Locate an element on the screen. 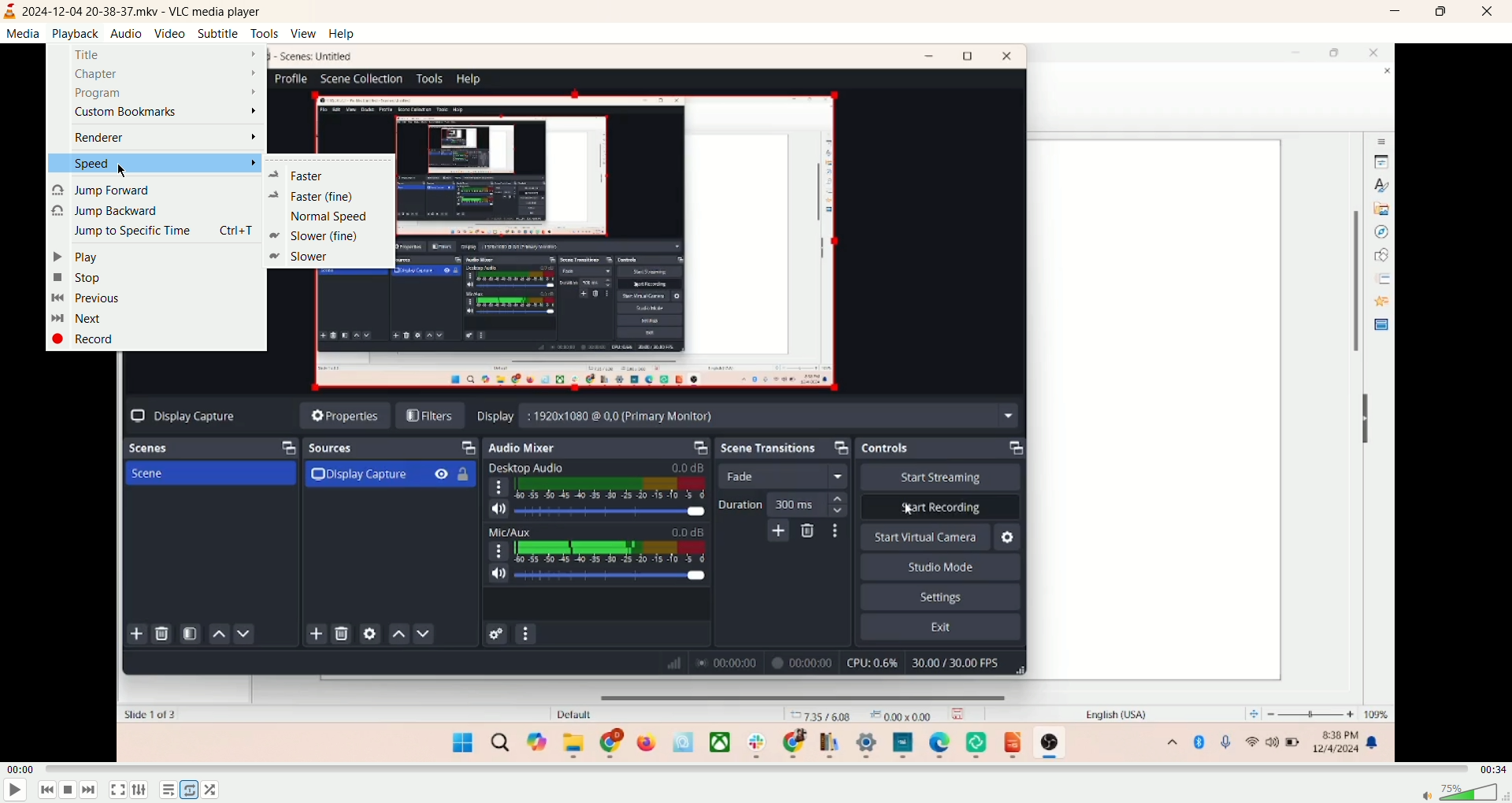 The height and width of the screenshot is (803, 1512). extended settings is located at coordinates (140, 792).